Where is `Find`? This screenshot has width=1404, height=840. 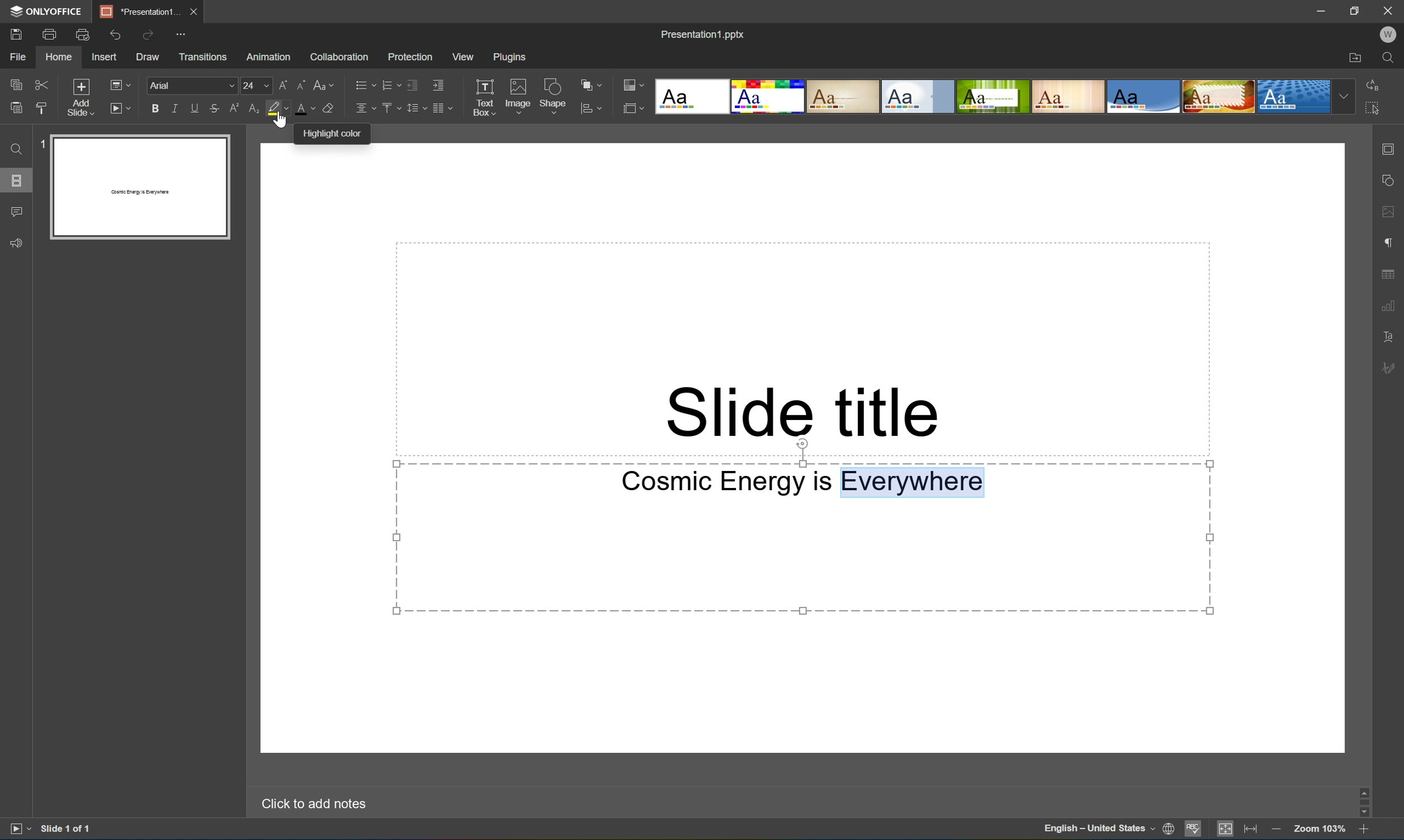
Find is located at coordinates (16, 149).